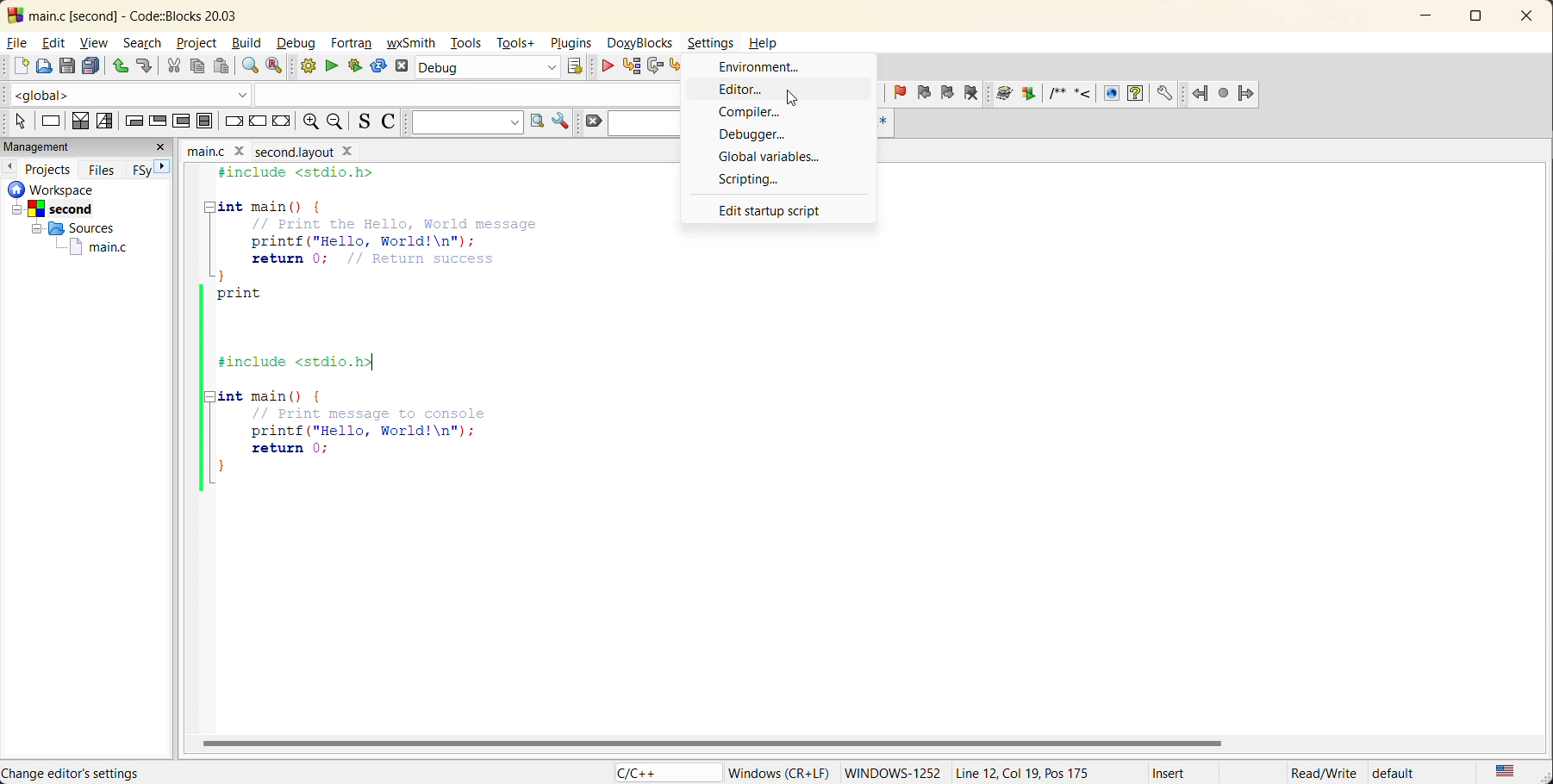  What do you see at coordinates (535, 122) in the screenshot?
I see `run search` at bounding box center [535, 122].